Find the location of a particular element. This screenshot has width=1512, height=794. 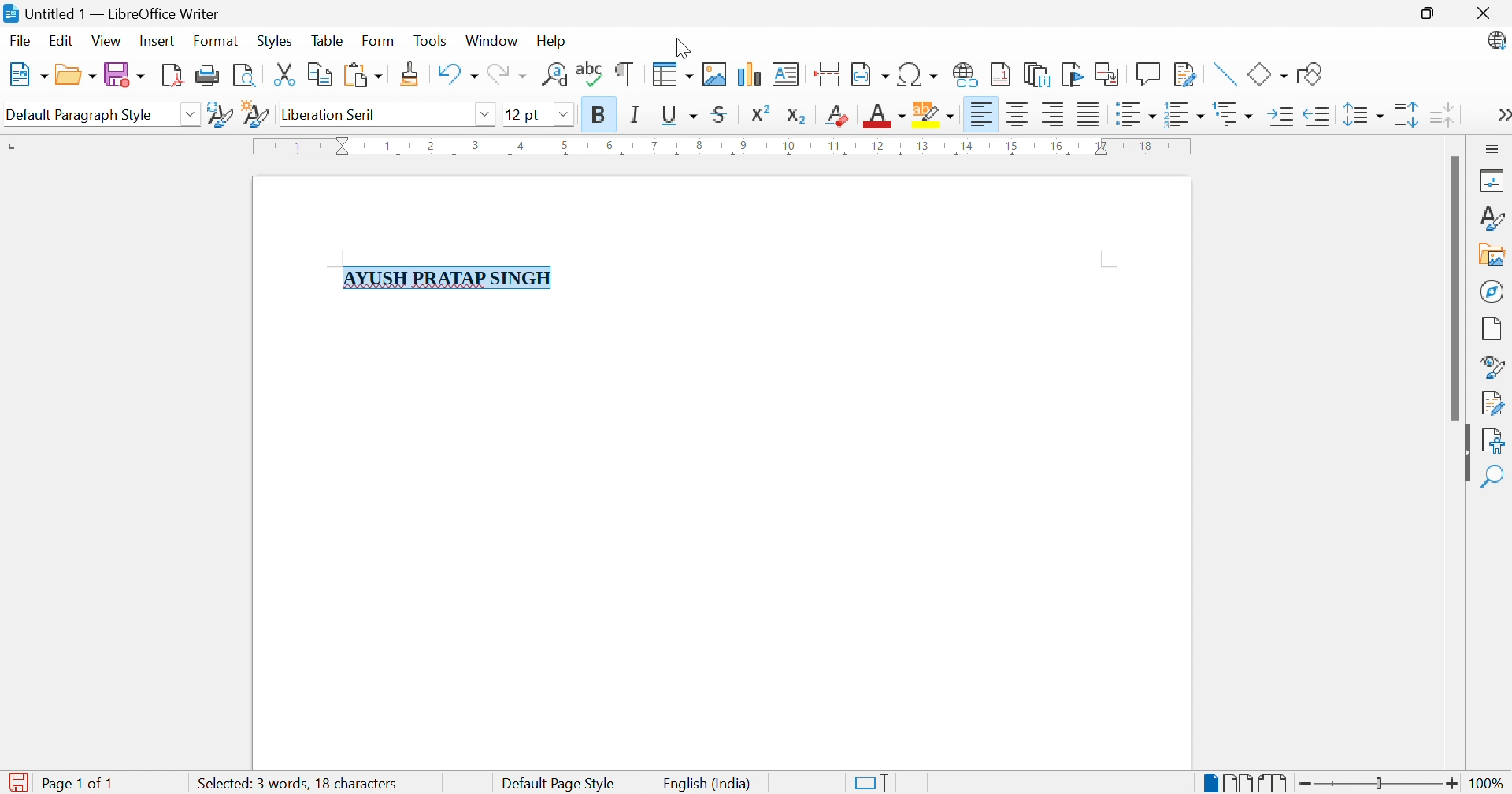

Gallery is located at coordinates (1492, 256).